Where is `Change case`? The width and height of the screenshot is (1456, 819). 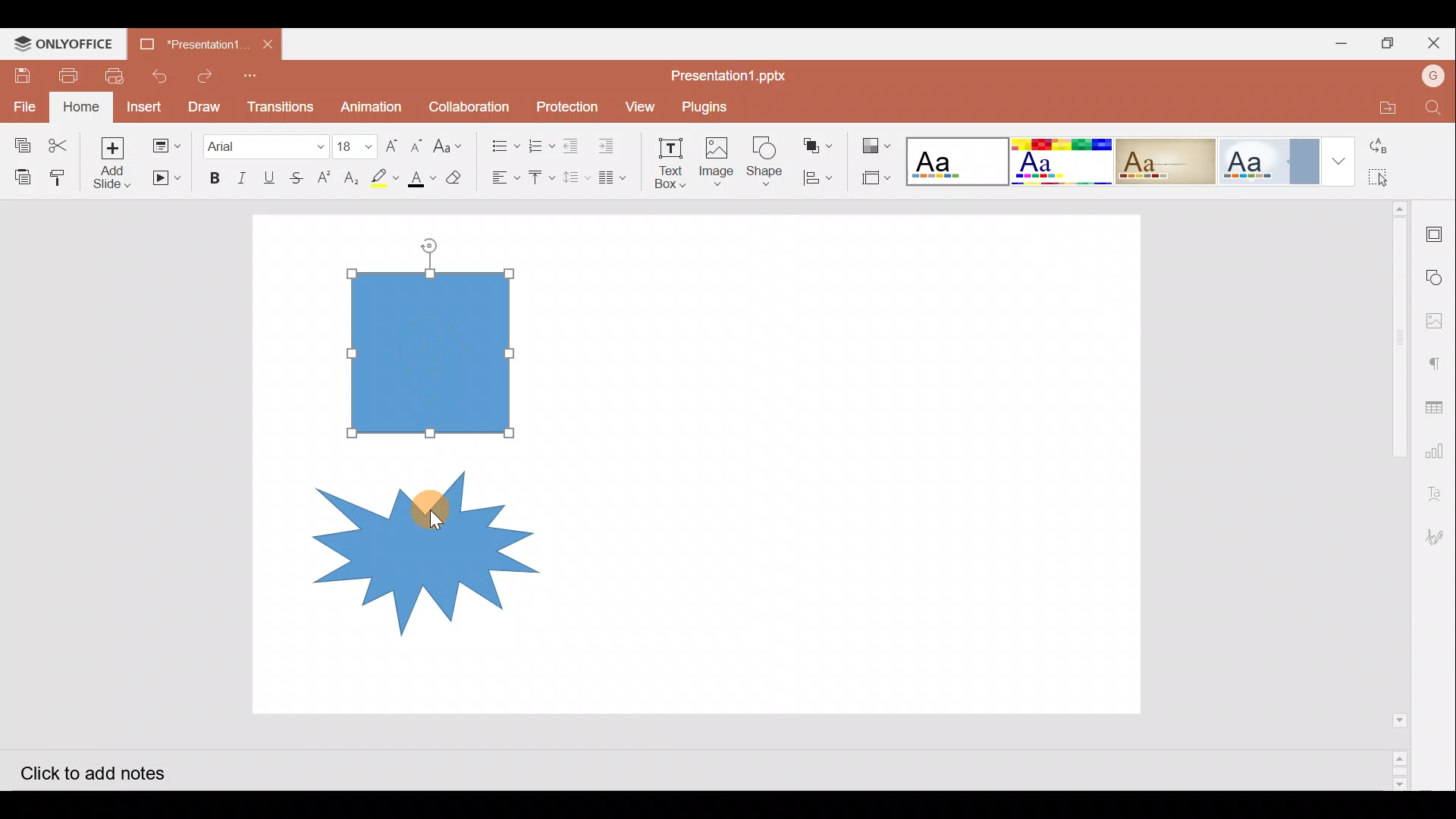
Change case is located at coordinates (452, 145).